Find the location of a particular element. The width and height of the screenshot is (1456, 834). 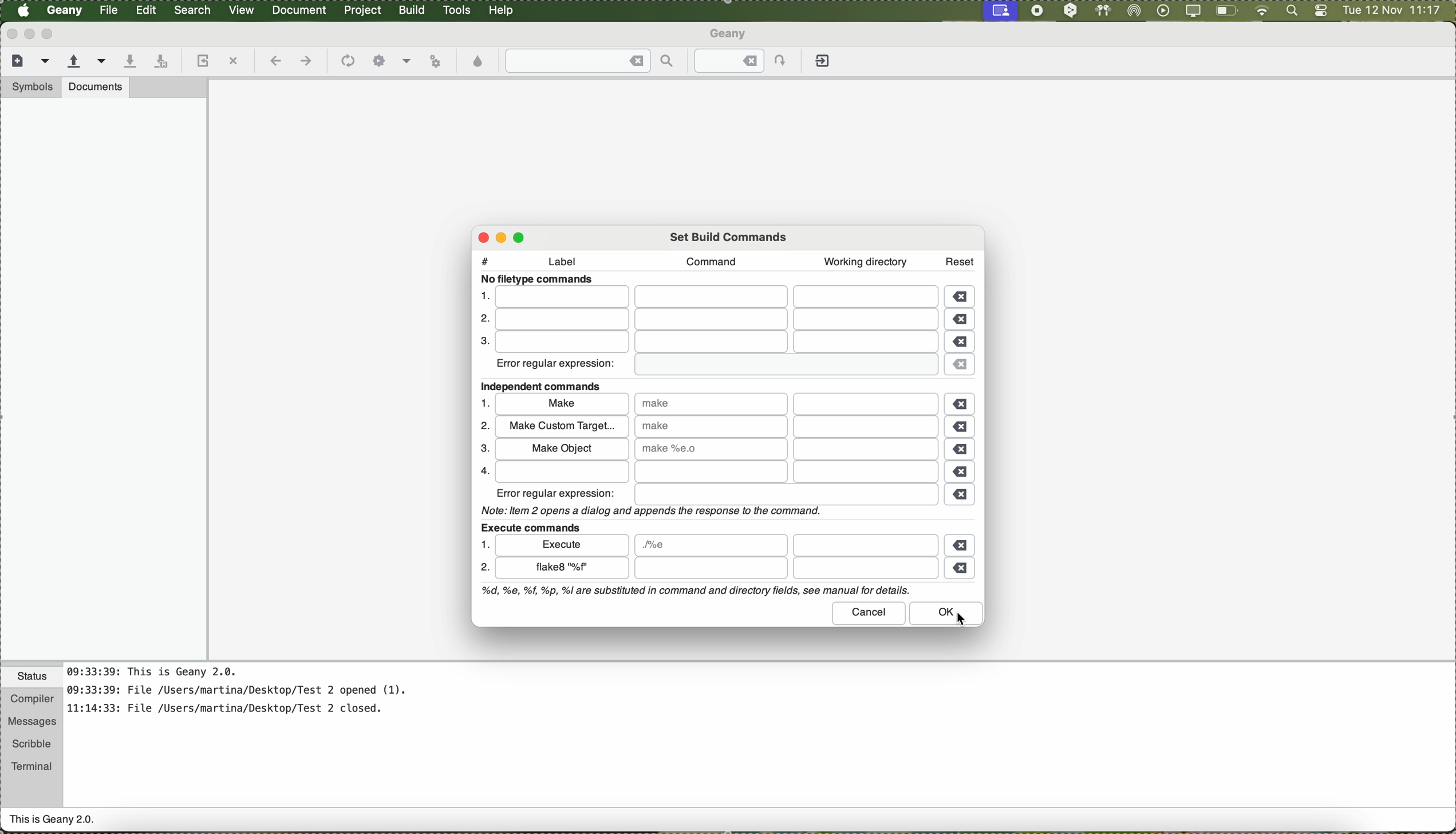

icon is located at coordinates (346, 62).